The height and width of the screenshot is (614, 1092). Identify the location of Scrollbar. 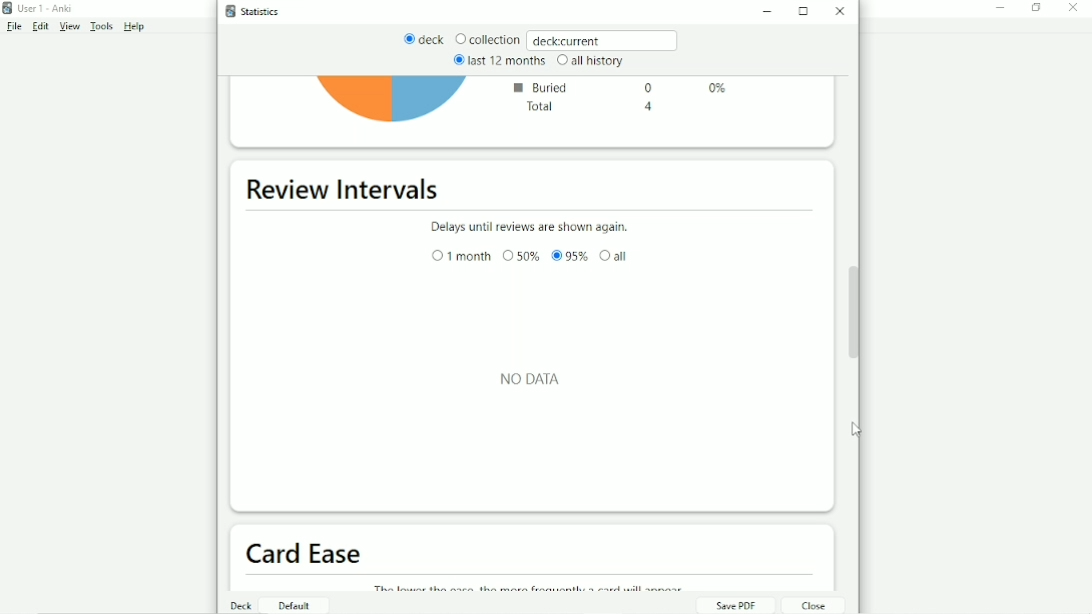
(856, 311).